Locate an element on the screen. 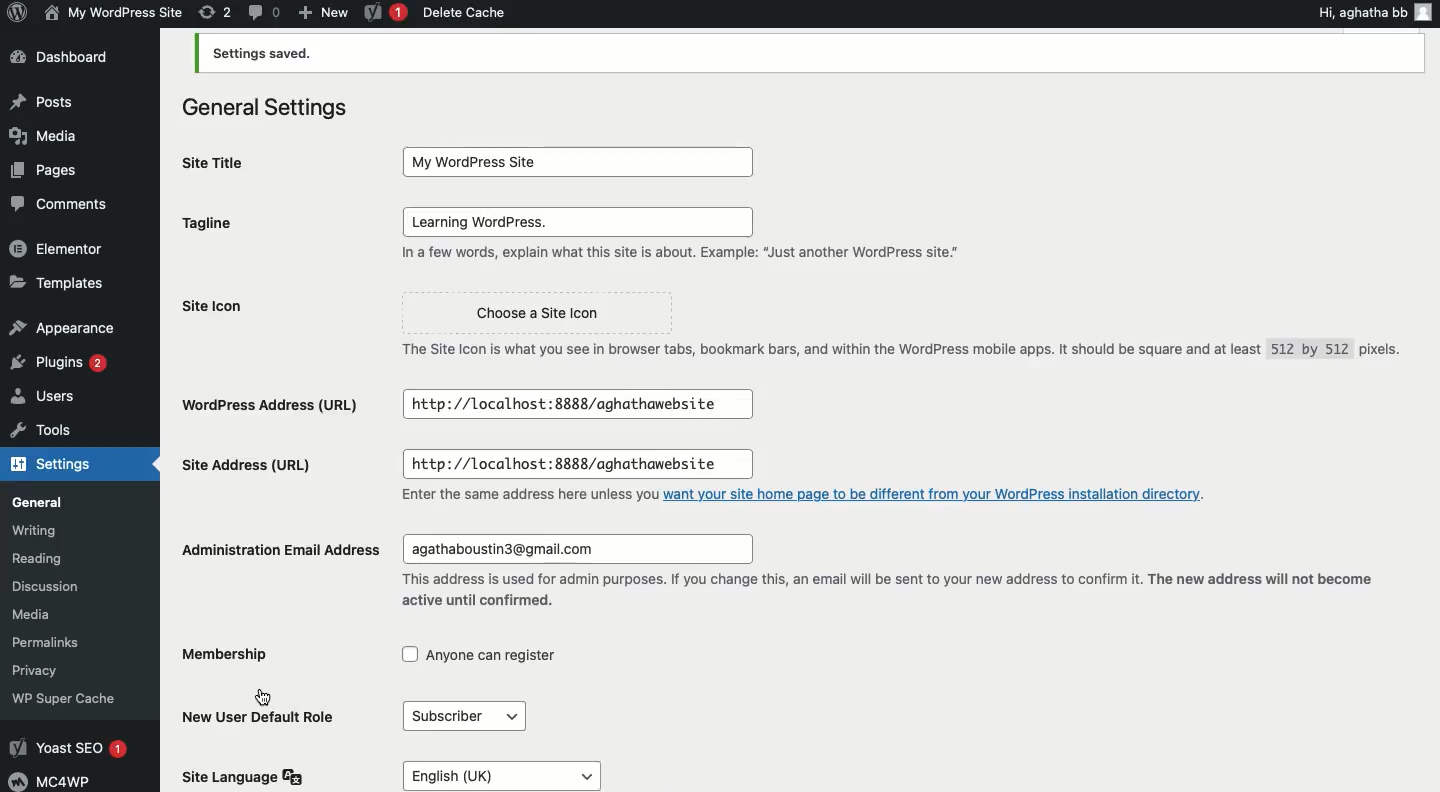  Anyone can register is located at coordinates (486, 656).